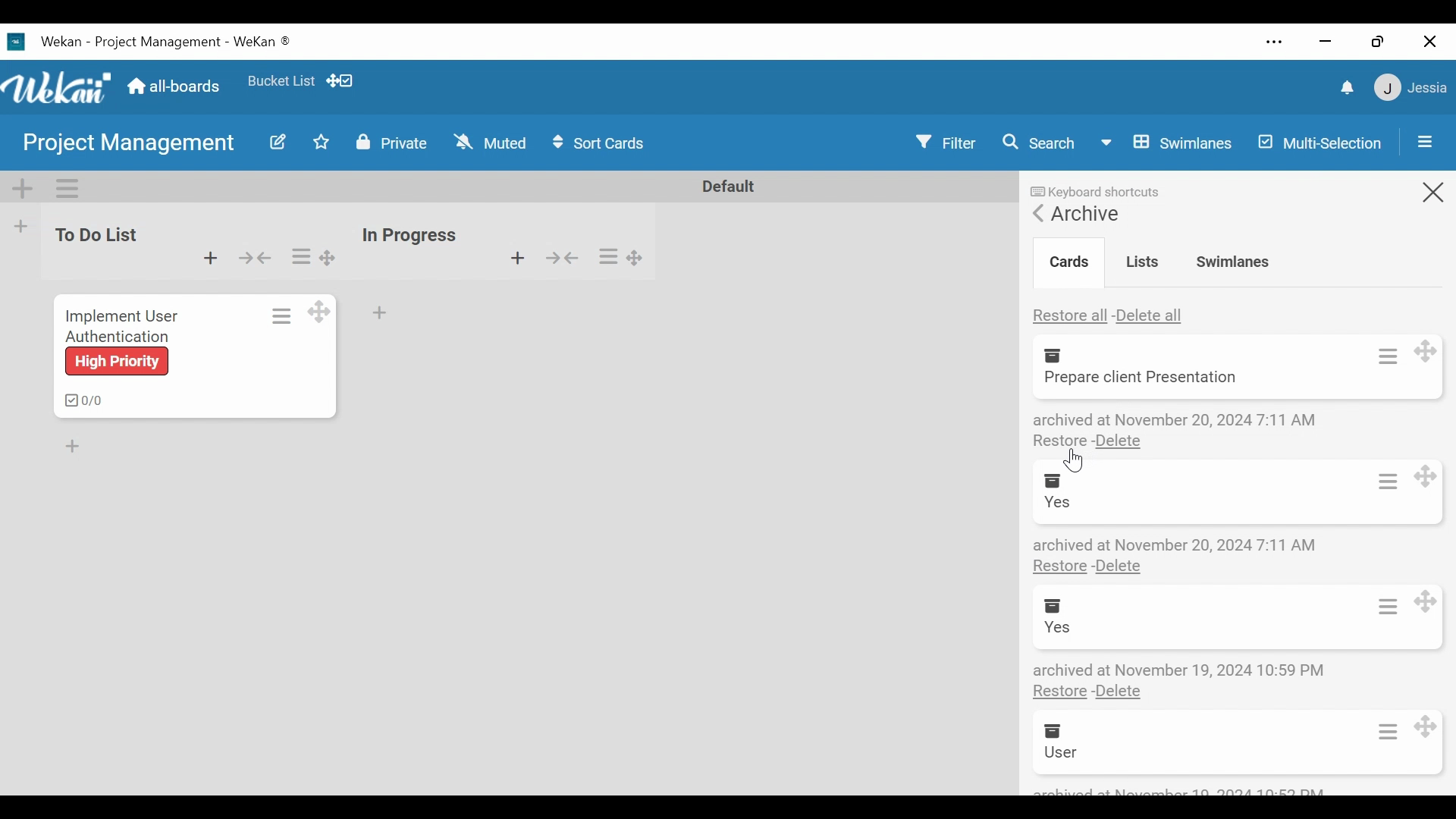 This screenshot has width=1456, height=819. What do you see at coordinates (1117, 692) in the screenshot?
I see `Delete` at bounding box center [1117, 692].